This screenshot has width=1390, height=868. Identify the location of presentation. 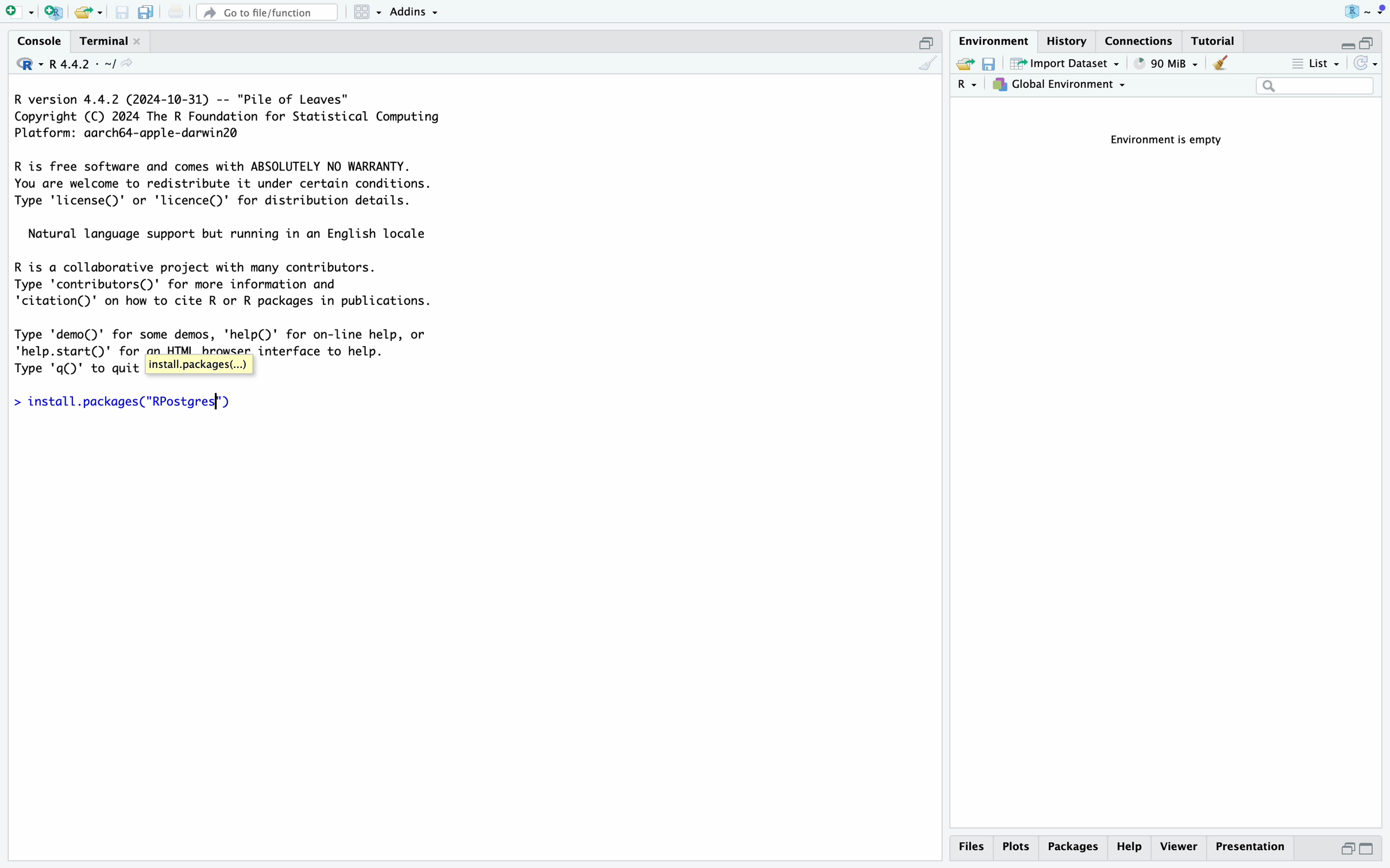
(1256, 850).